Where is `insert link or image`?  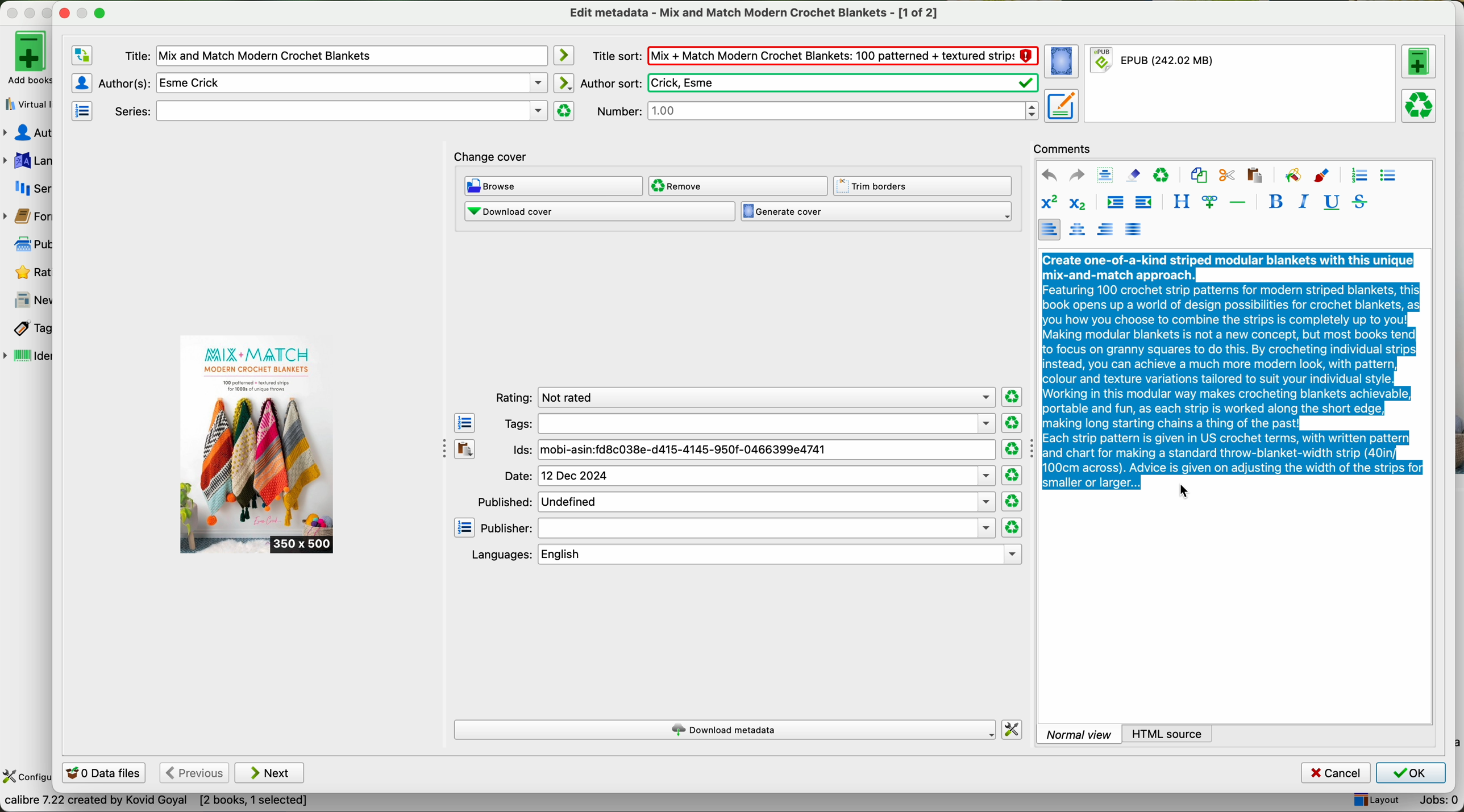 insert link or image is located at coordinates (1209, 202).